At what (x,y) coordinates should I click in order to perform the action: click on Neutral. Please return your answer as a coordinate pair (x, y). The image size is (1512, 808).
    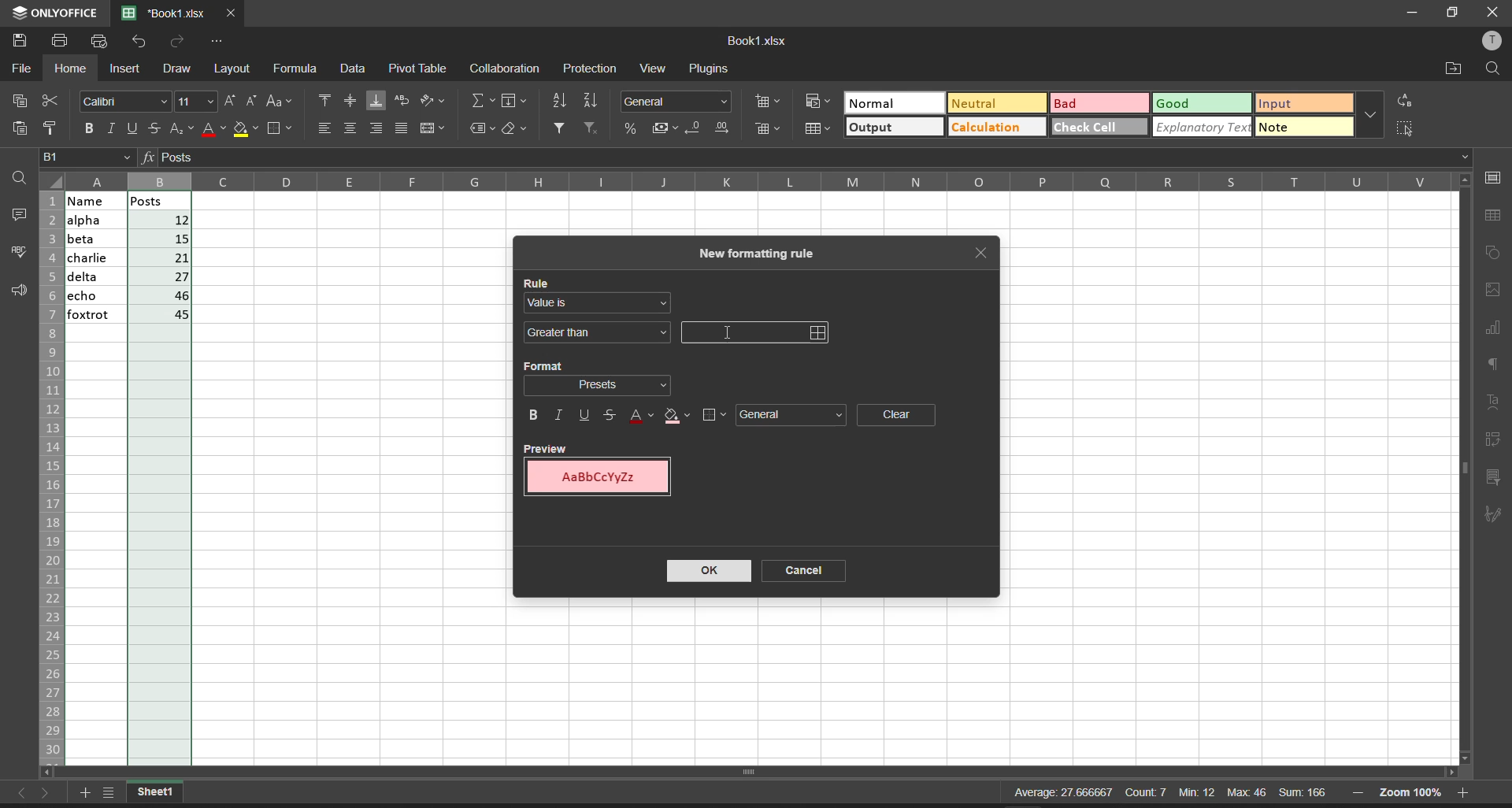
    Looking at the image, I should click on (976, 102).